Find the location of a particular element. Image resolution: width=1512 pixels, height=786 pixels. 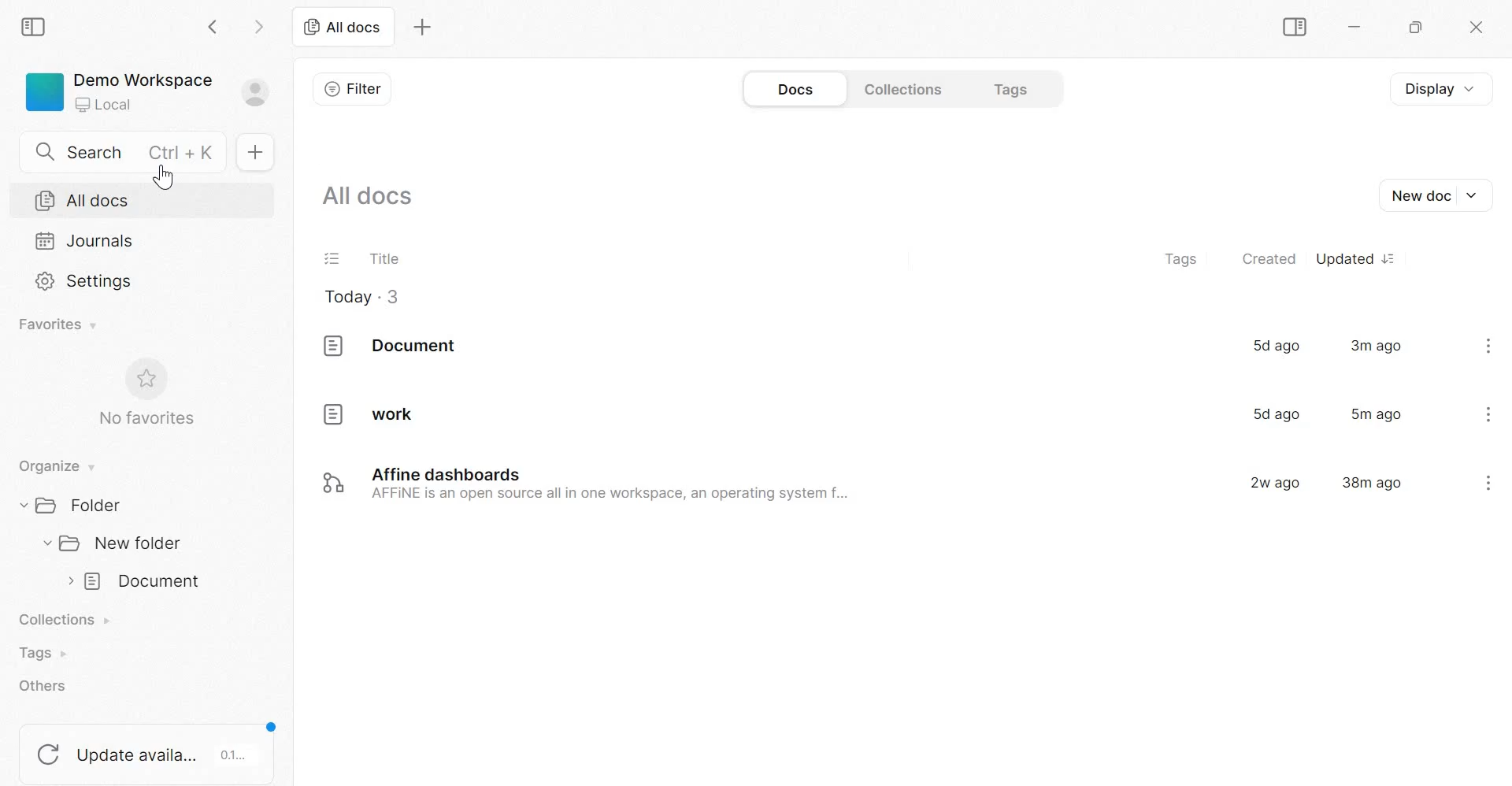

Docs is located at coordinates (793, 90).